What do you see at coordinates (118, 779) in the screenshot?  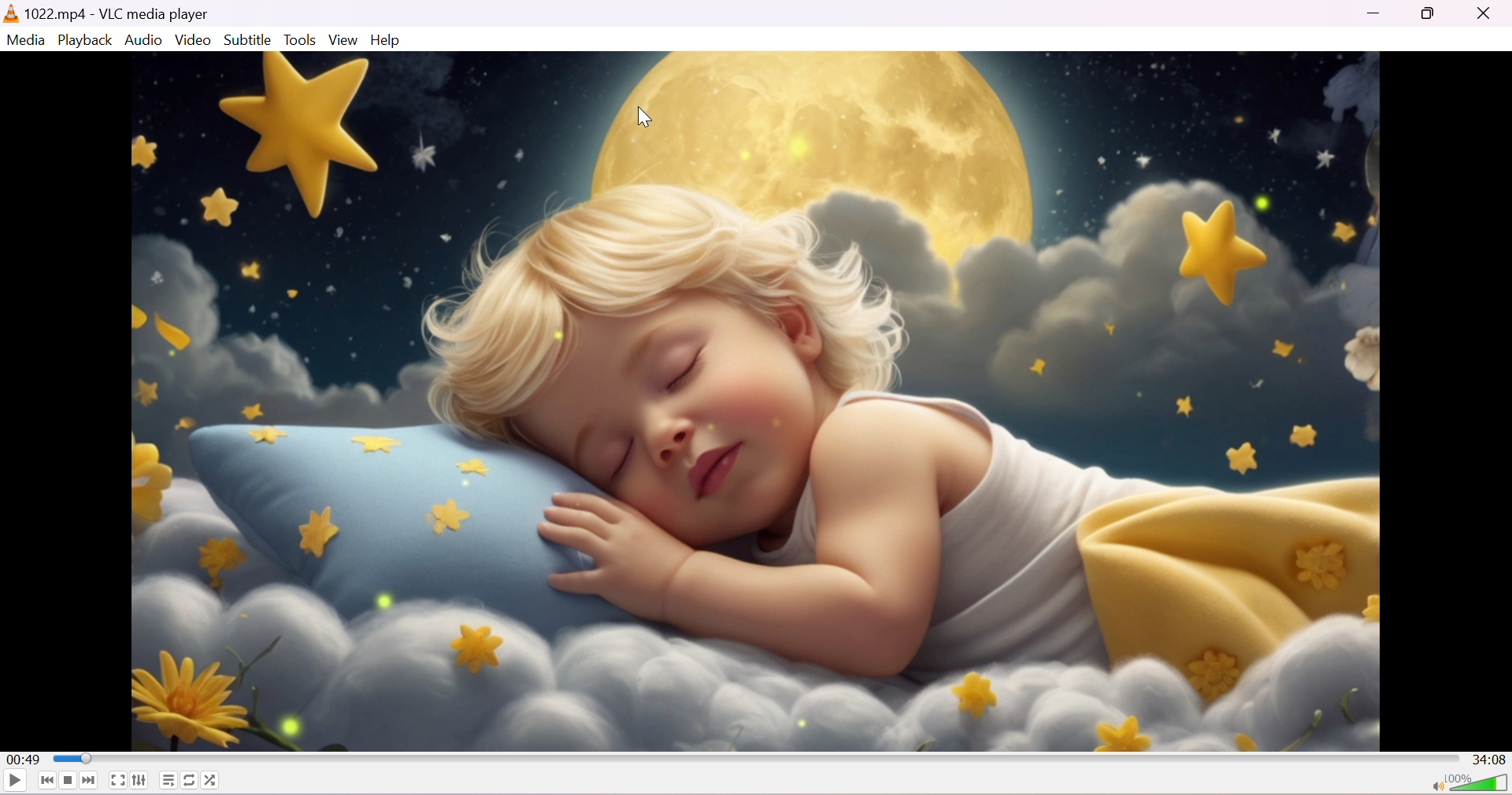 I see `Toggle the video in fullscreen` at bounding box center [118, 779].